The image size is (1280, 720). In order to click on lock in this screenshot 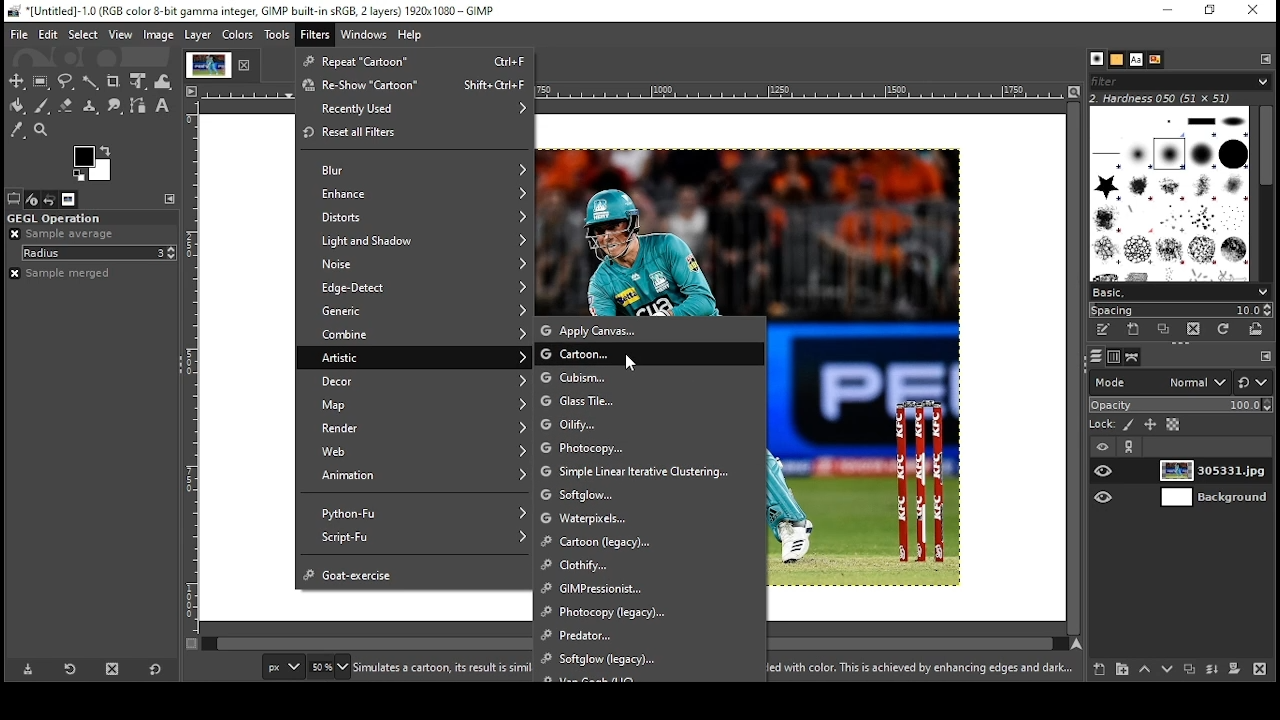, I will do `click(1103, 424)`.